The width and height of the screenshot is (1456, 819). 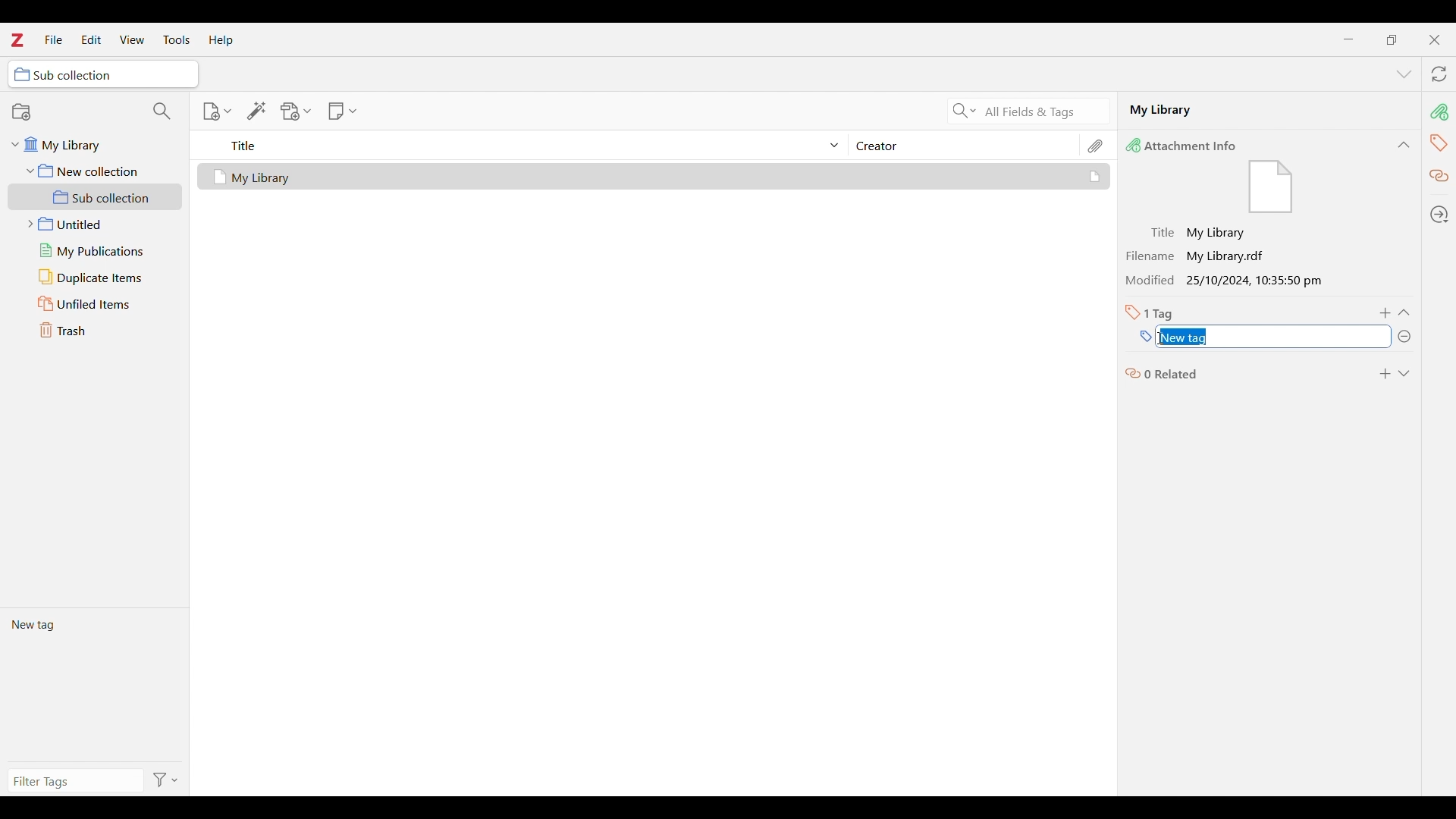 What do you see at coordinates (1439, 215) in the screenshot?
I see `Locate` at bounding box center [1439, 215].